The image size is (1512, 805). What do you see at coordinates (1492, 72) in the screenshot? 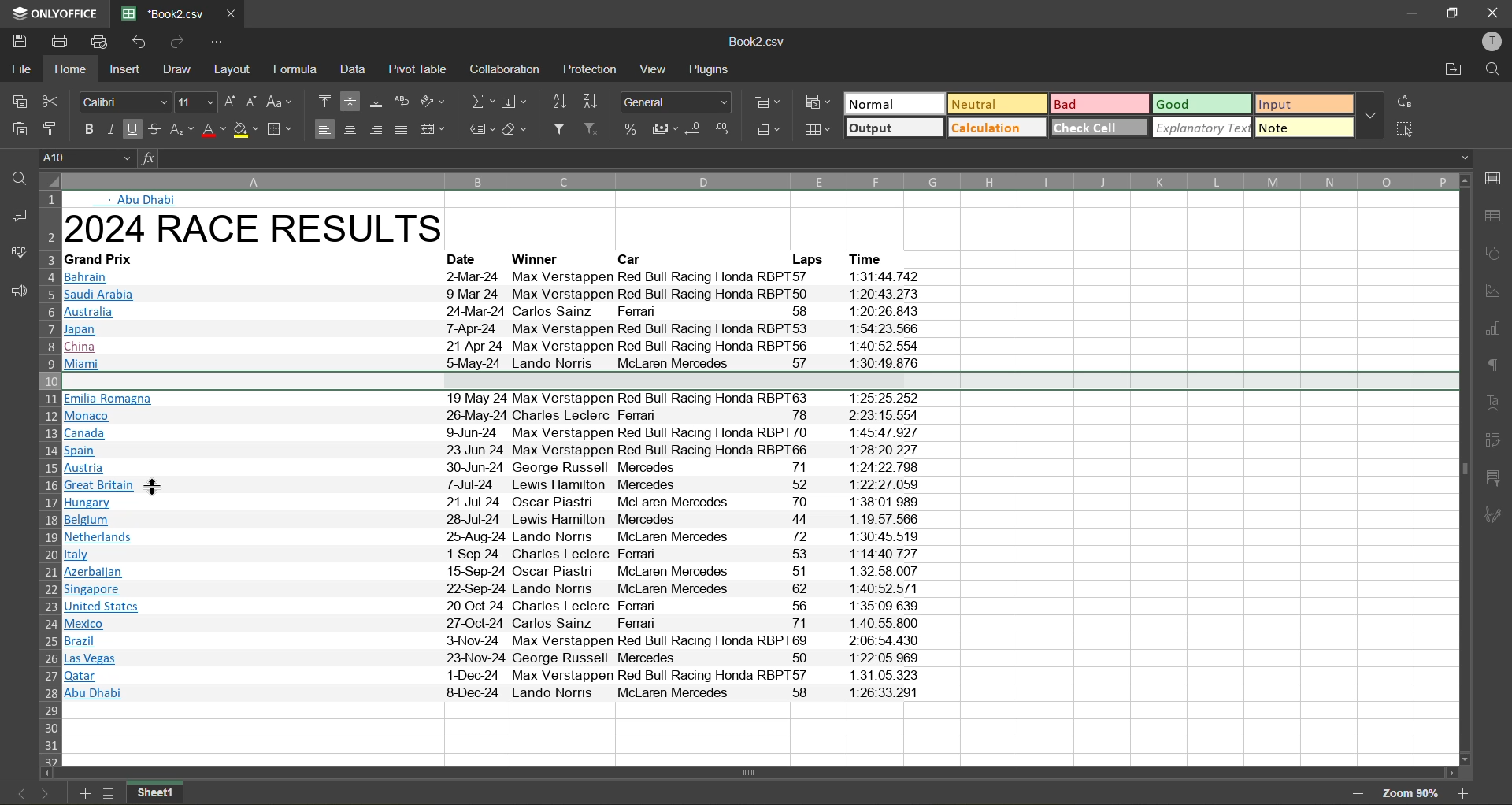
I see `find` at bounding box center [1492, 72].